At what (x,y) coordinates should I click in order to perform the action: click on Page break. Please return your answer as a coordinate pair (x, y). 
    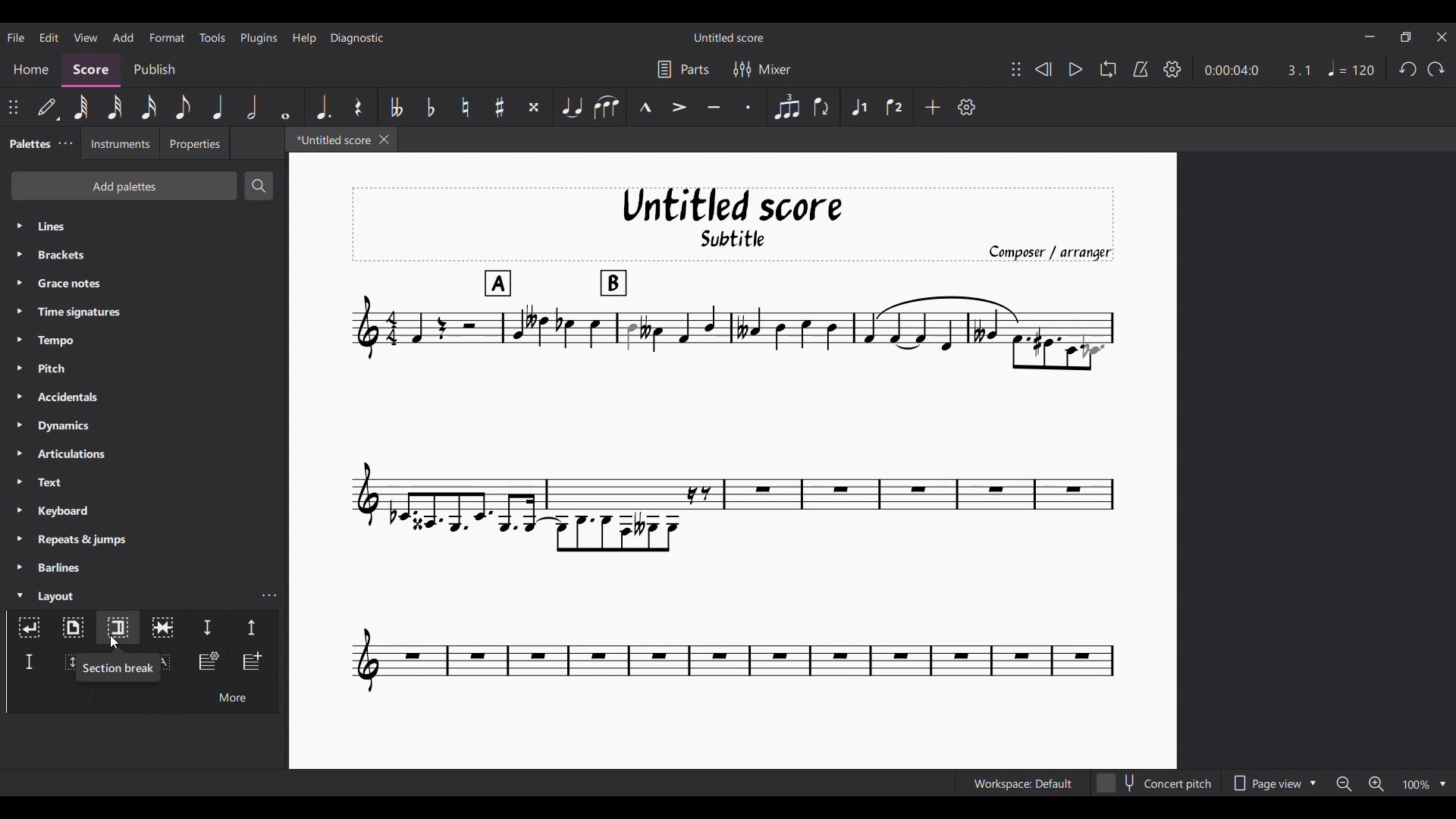
    Looking at the image, I should click on (72, 628).